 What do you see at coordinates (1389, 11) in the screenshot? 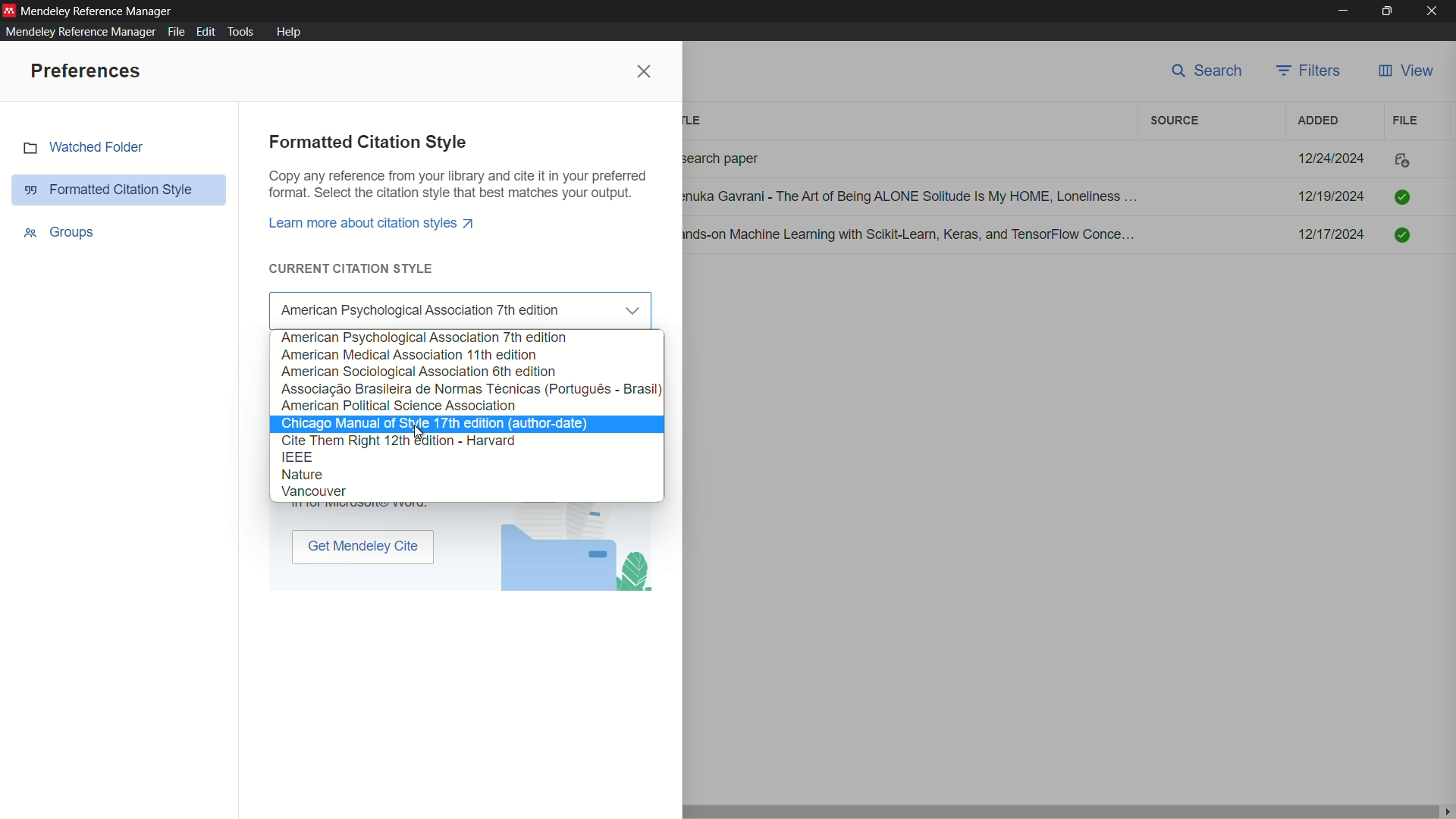
I see `maximize` at bounding box center [1389, 11].